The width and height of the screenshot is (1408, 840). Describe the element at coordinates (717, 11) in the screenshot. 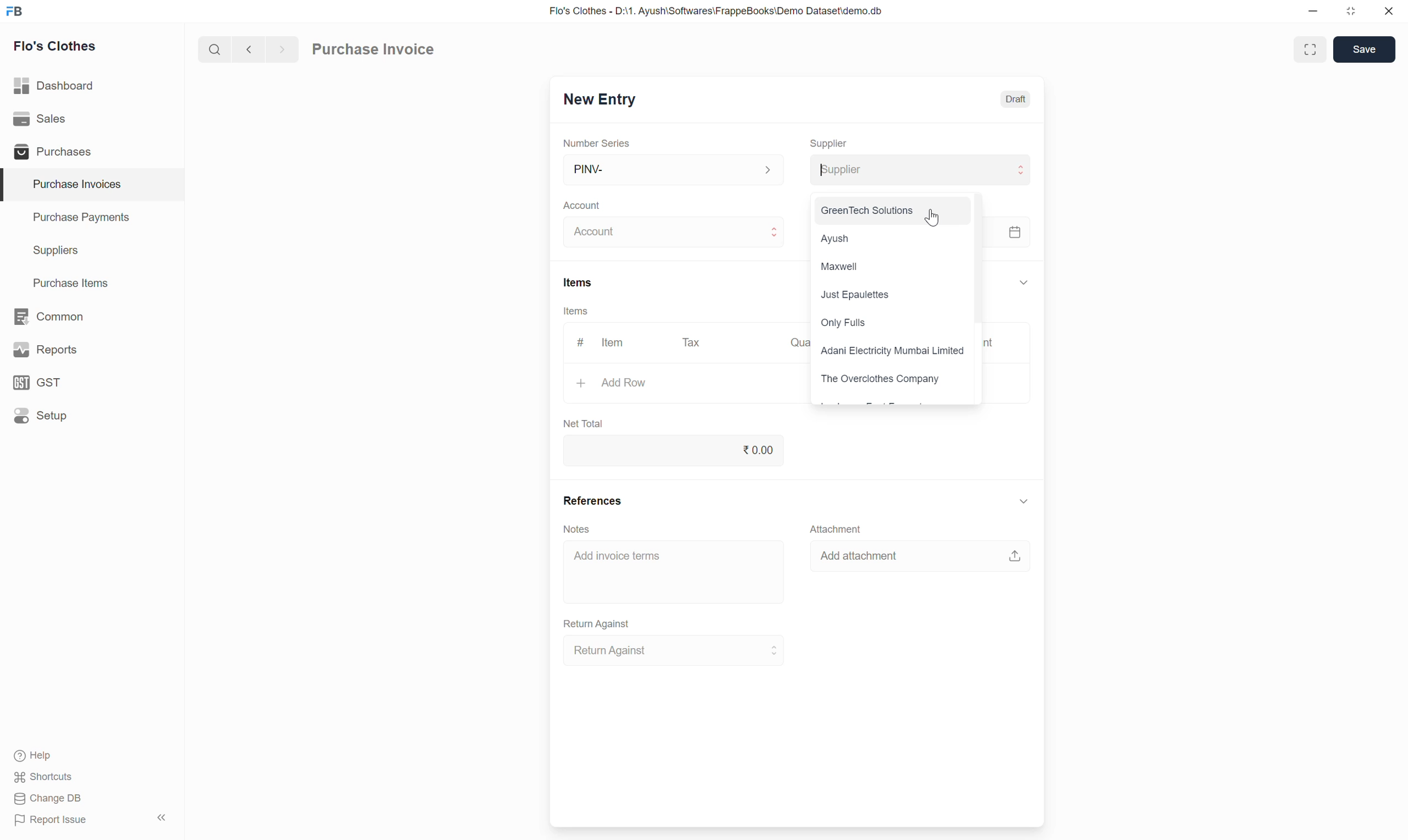

I see `Flo's Clothes - D:\1. Ayush\Softwares\FrappeBooks\Demo Dataset\demo.db` at that location.